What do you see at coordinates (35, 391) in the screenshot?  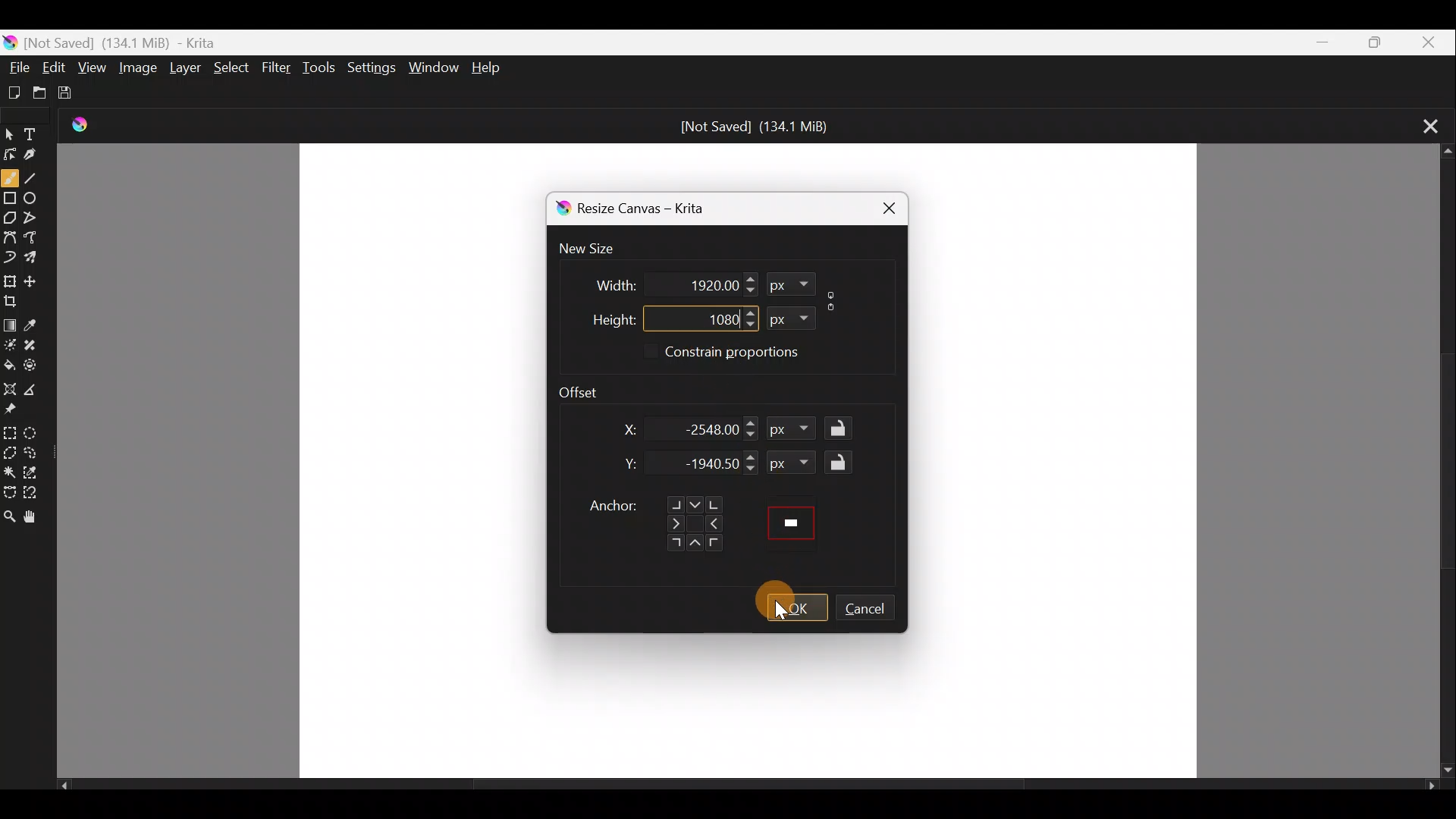 I see `Measure the distance between two points` at bounding box center [35, 391].